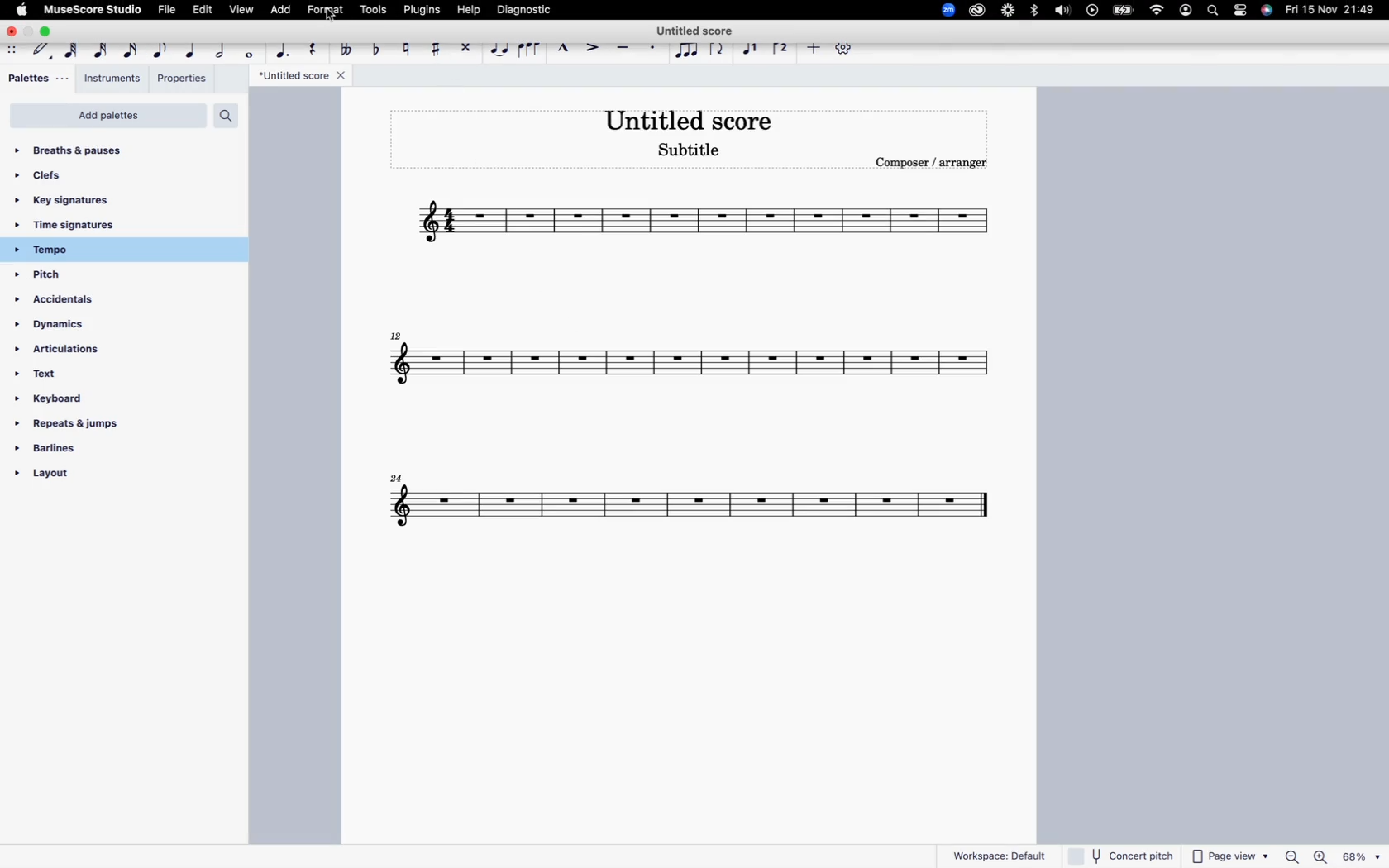 Image resolution: width=1389 pixels, height=868 pixels. What do you see at coordinates (67, 175) in the screenshot?
I see `clefs` at bounding box center [67, 175].